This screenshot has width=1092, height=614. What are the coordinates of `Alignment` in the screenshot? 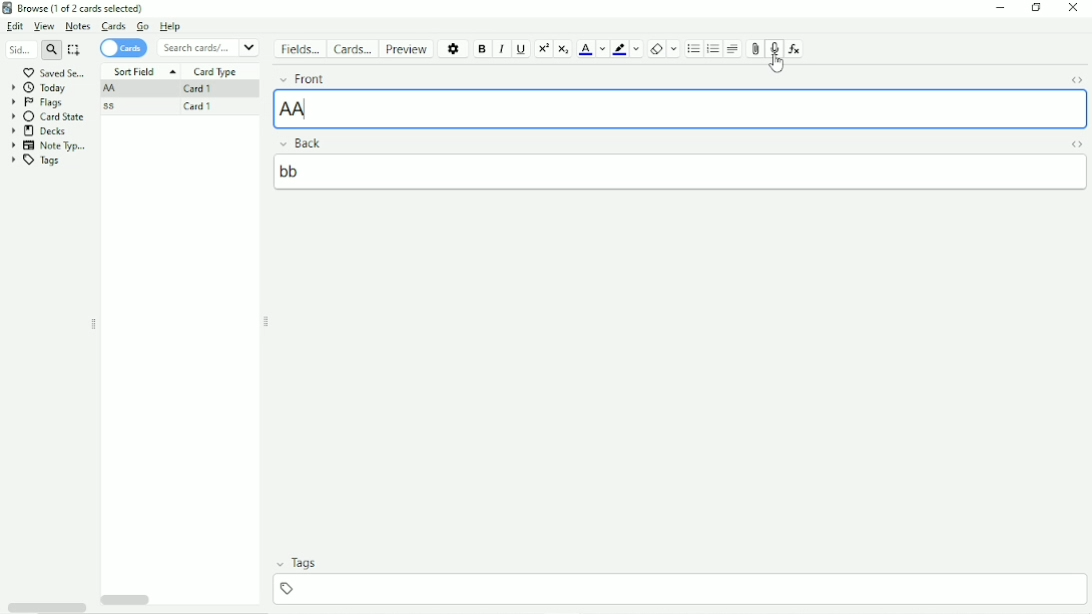 It's located at (734, 49).